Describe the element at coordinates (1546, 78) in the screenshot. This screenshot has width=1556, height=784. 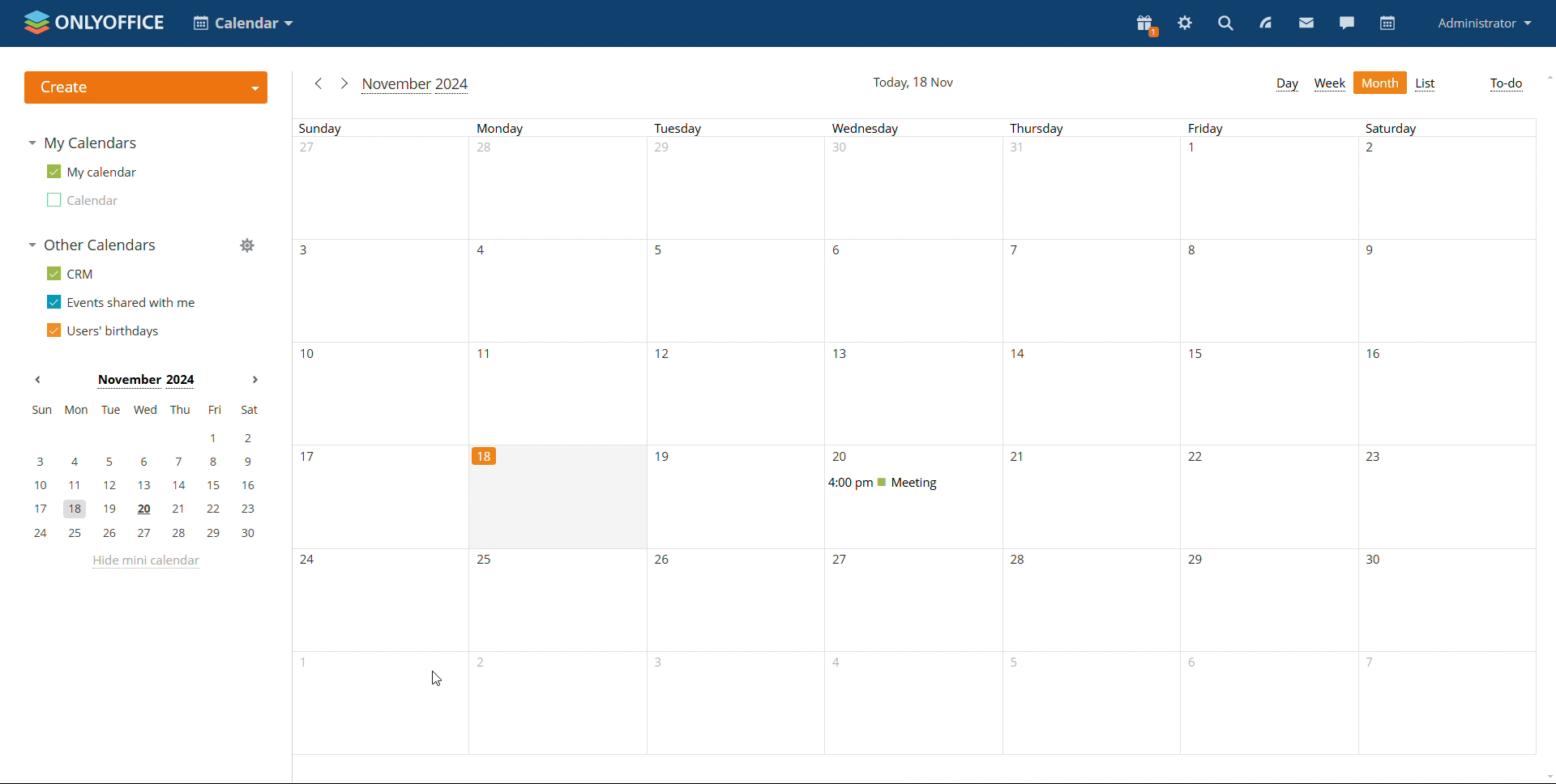
I see `scroll up` at that location.